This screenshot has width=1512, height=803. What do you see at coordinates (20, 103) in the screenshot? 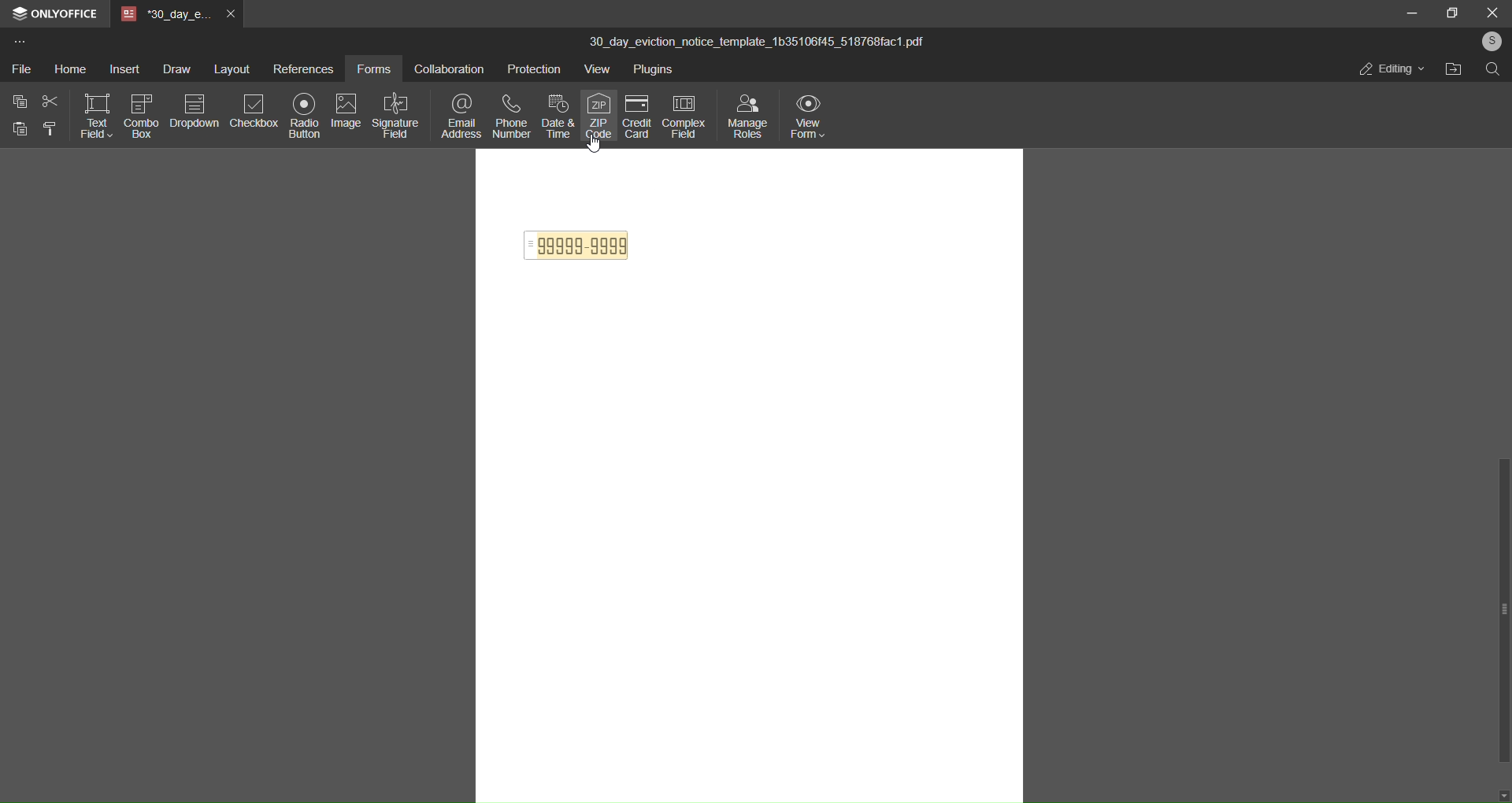
I see `copy` at bounding box center [20, 103].